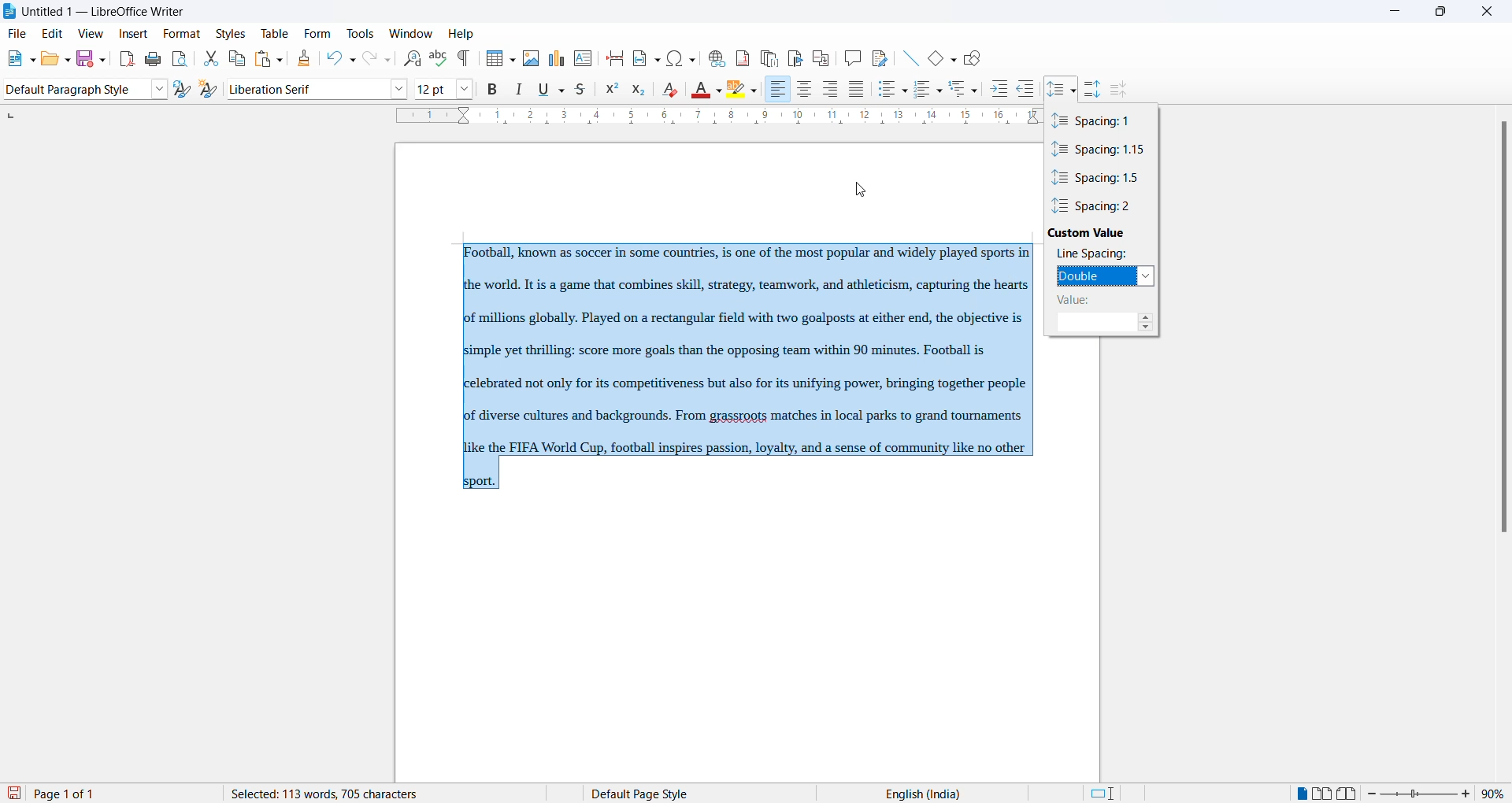  What do you see at coordinates (584, 58) in the screenshot?
I see `insert text` at bounding box center [584, 58].